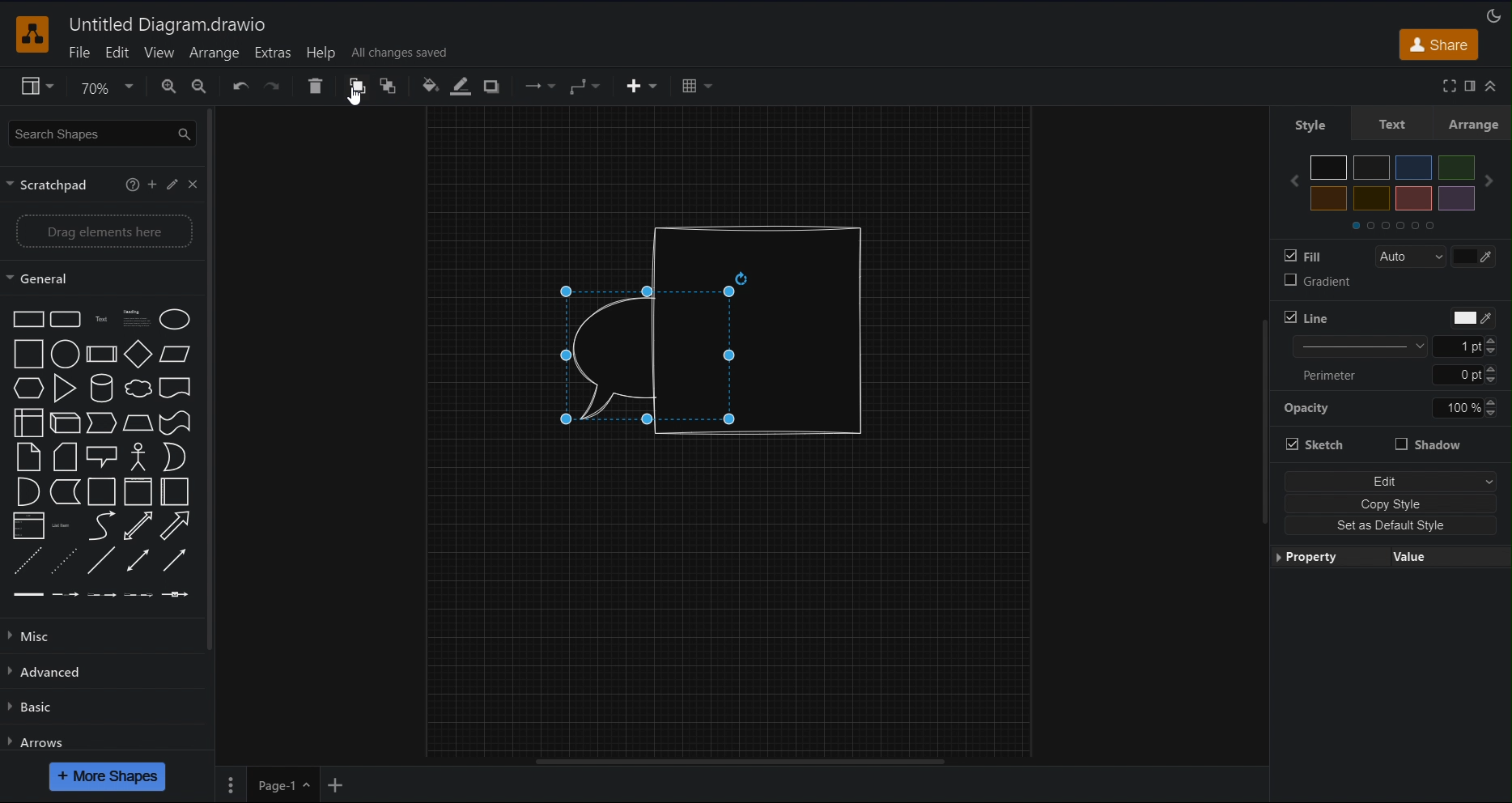 Image resolution: width=1512 pixels, height=803 pixels. Describe the element at coordinates (32, 35) in the screenshot. I see `Software logo` at that location.